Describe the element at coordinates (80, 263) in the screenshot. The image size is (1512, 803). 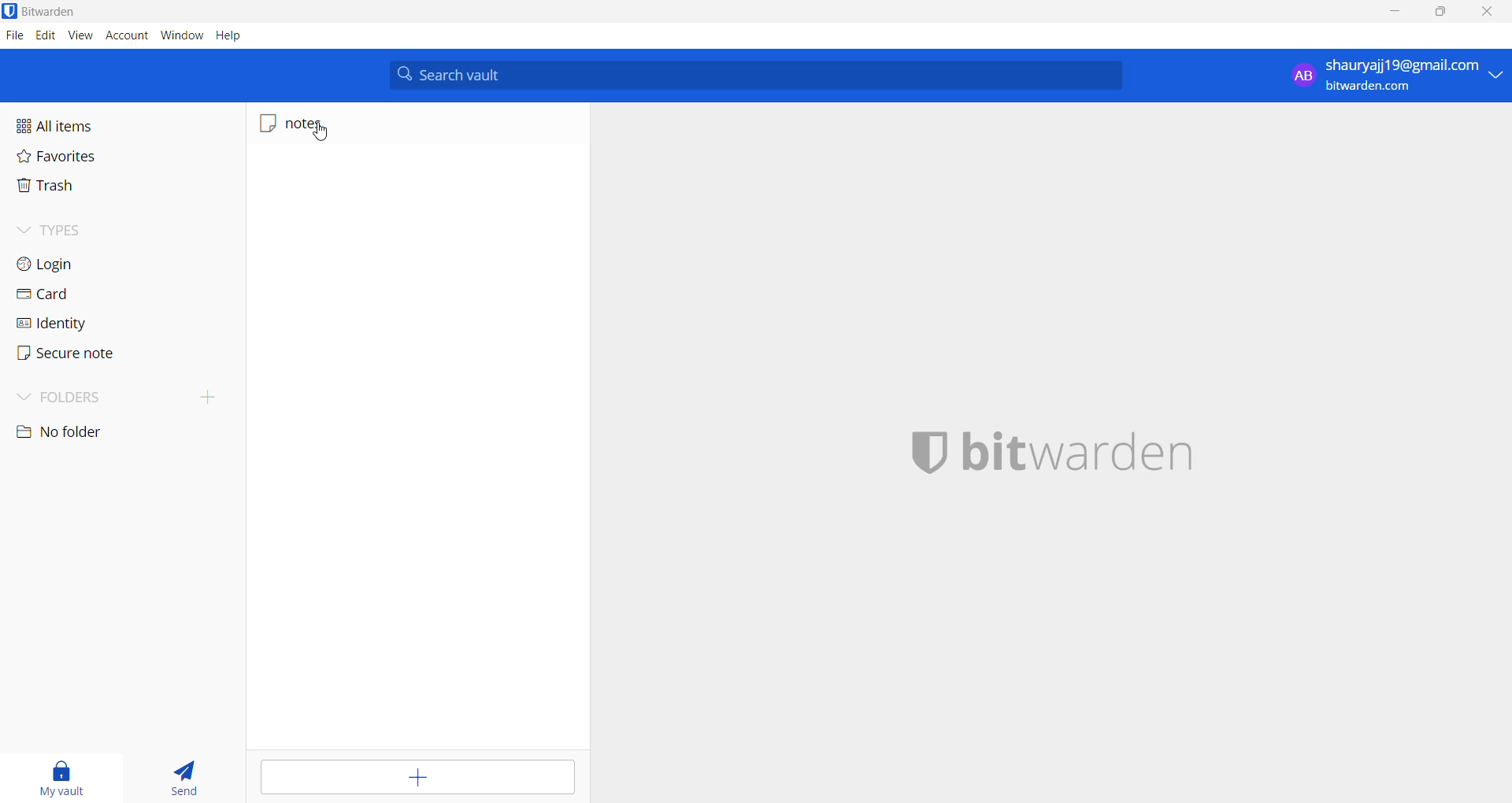
I see `login` at that location.